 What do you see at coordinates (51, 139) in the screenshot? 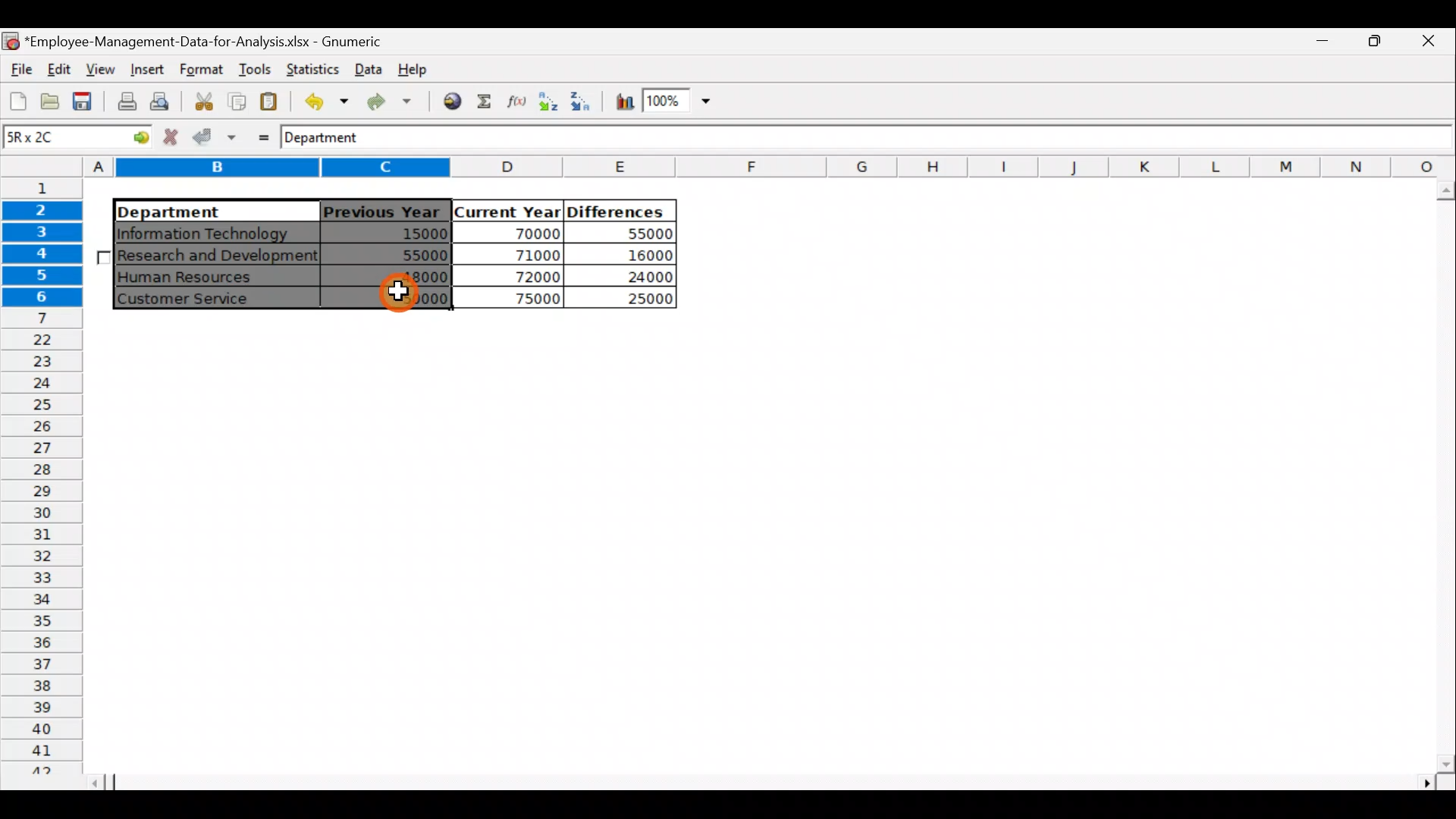
I see `Cell name 5R x 2C` at bounding box center [51, 139].